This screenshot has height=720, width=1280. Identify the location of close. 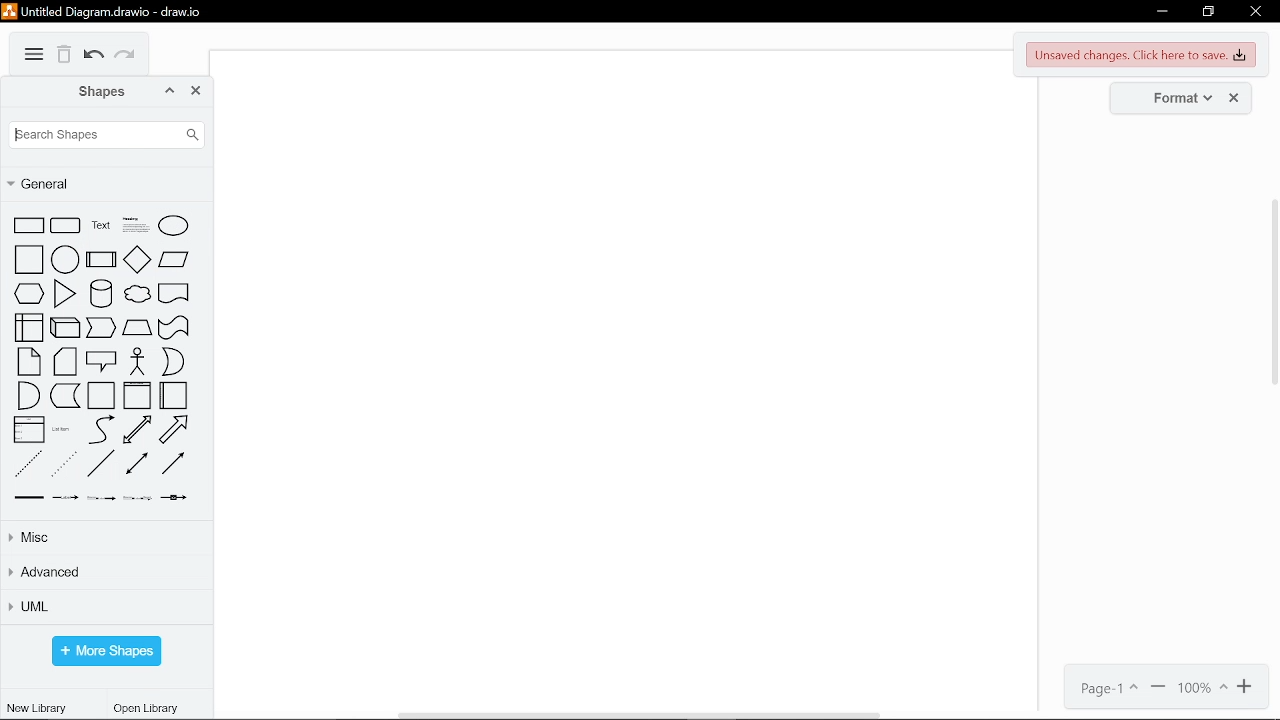
(197, 91).